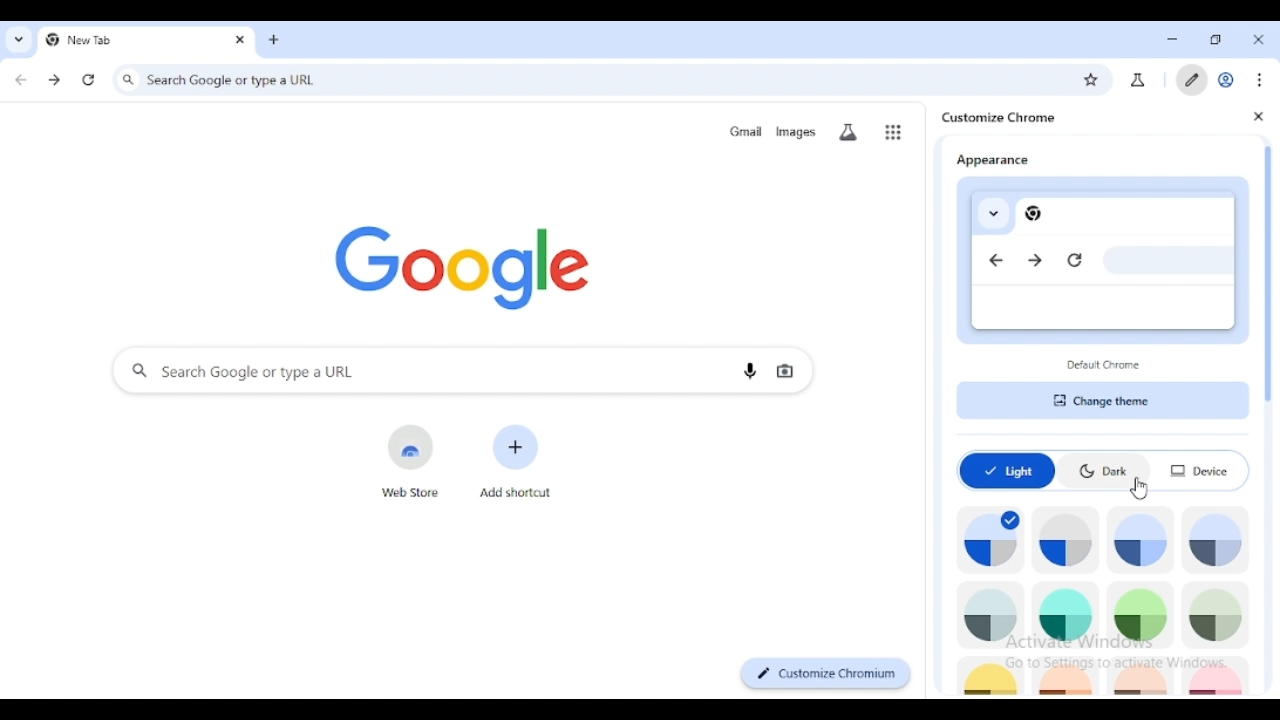 This screenshot has width=1280, height=720. I want to click on cool grey, so click(1217, 540).